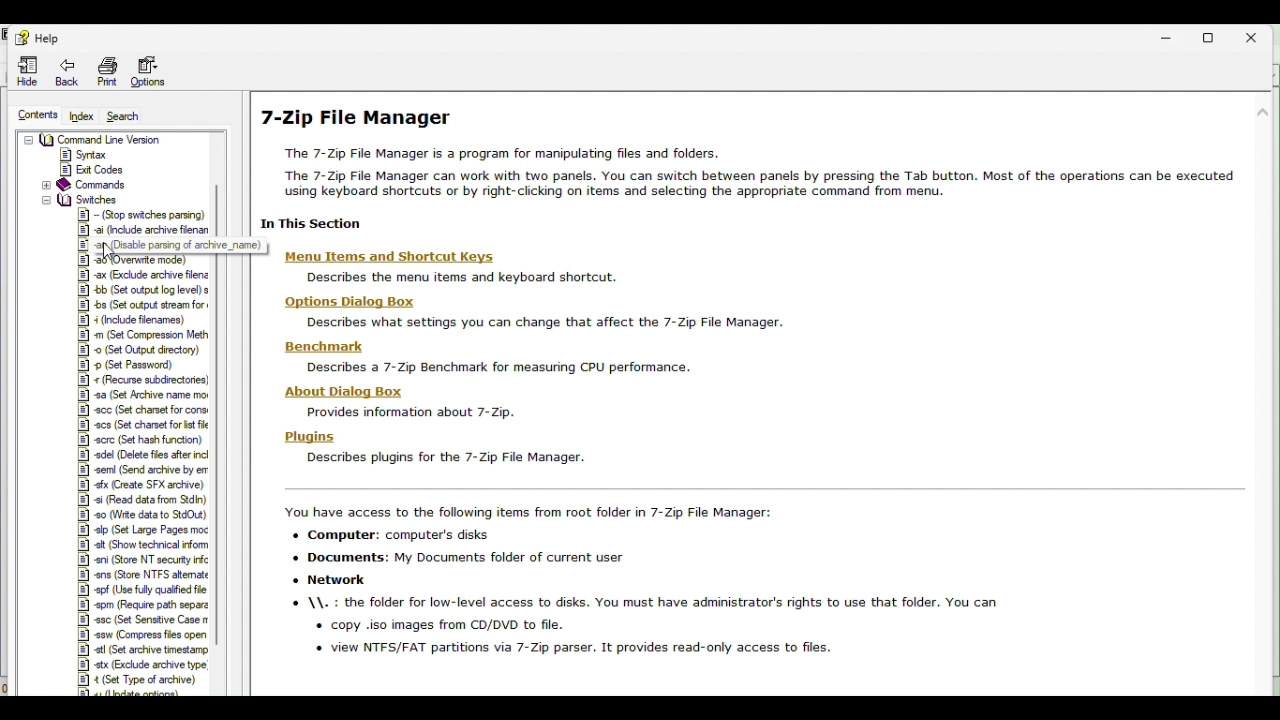 The height and width of the screenshot is (720, 1280). Describe the element at coordinates (143, 574) in the screenshot. I see `|#] ens (Store NTFS altemate` at that location.